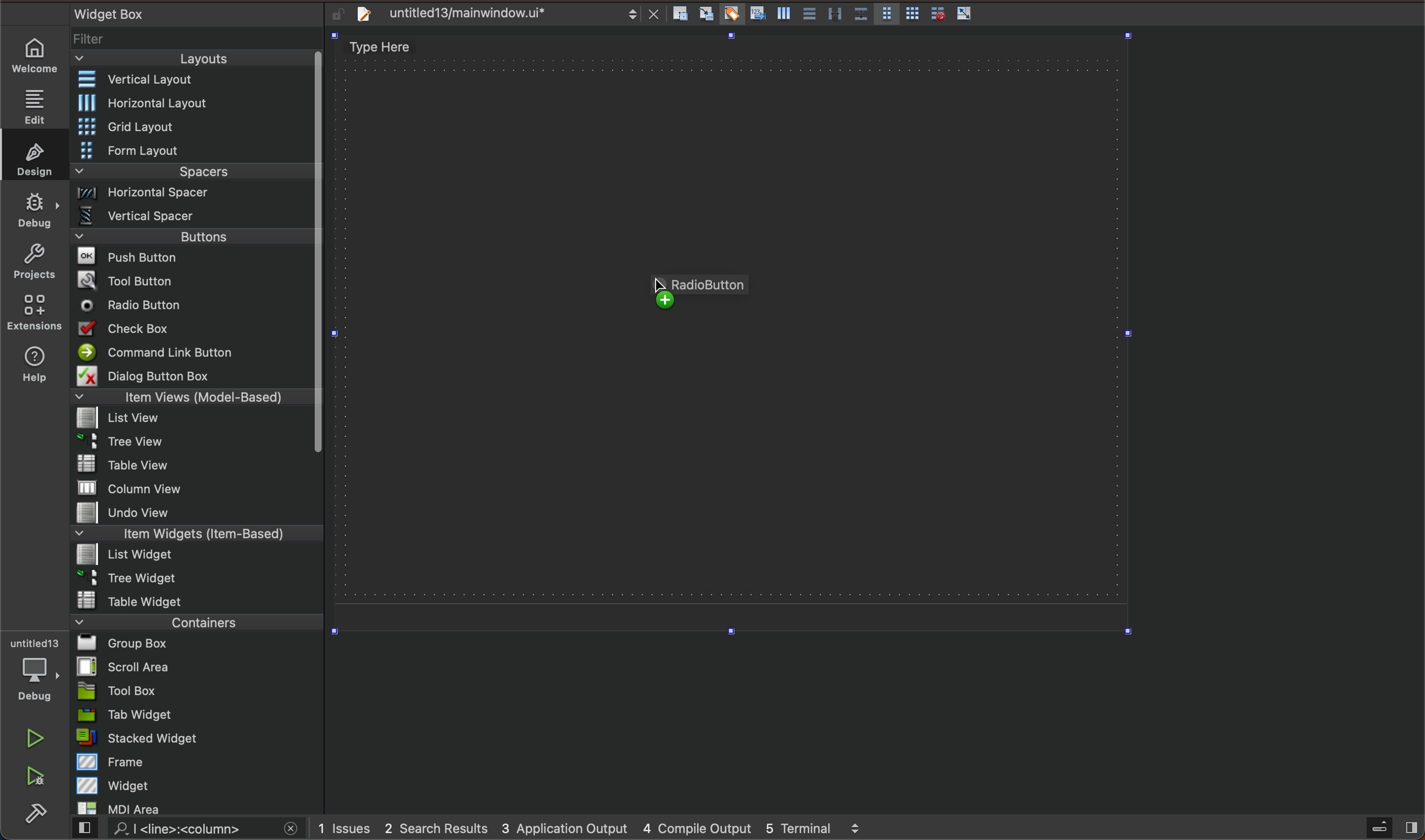 The image size is (1425, 840). Describe the element at coordinates (504, 14) in the screenshot. I see `file tab` at that location.